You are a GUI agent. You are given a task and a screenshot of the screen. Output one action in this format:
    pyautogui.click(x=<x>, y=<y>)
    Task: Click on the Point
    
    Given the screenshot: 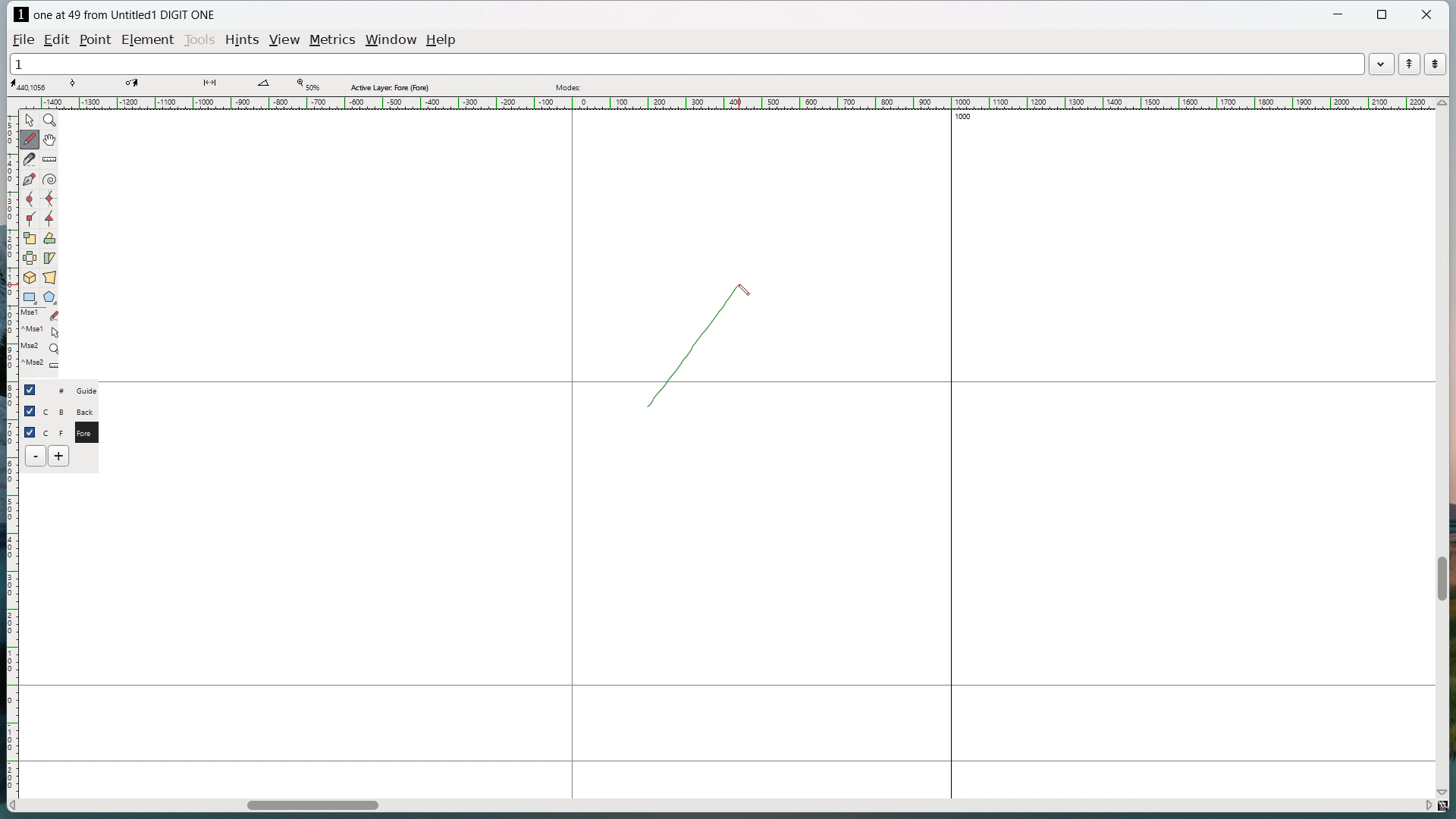 What is the action you would take?
    pyautogui.click(x=98, y=39)
    